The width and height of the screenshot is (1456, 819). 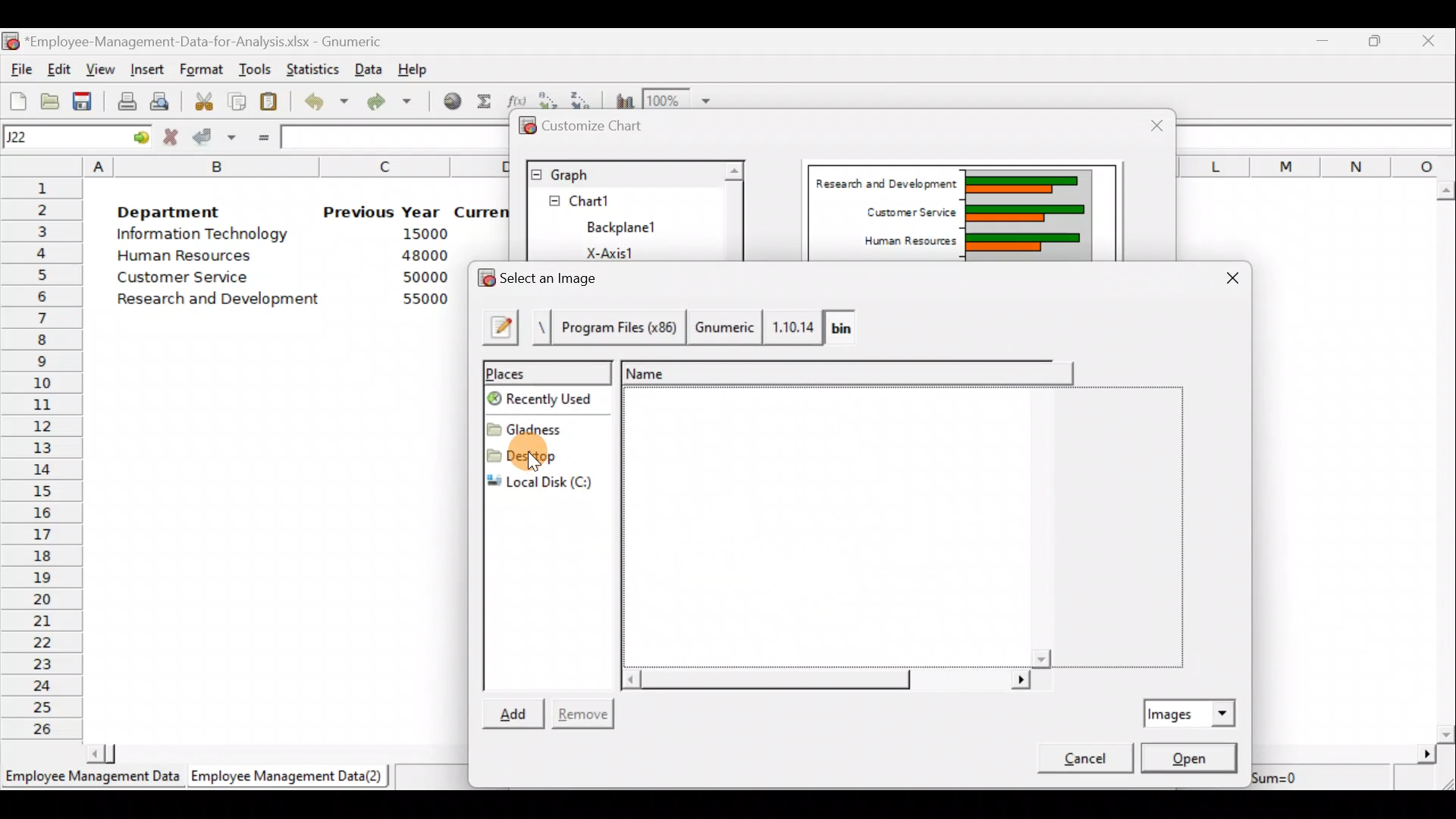 What do you see at coordinates (883, 180) in the screenshot?
I see `Research and Development` at bounding box center [883, 180].